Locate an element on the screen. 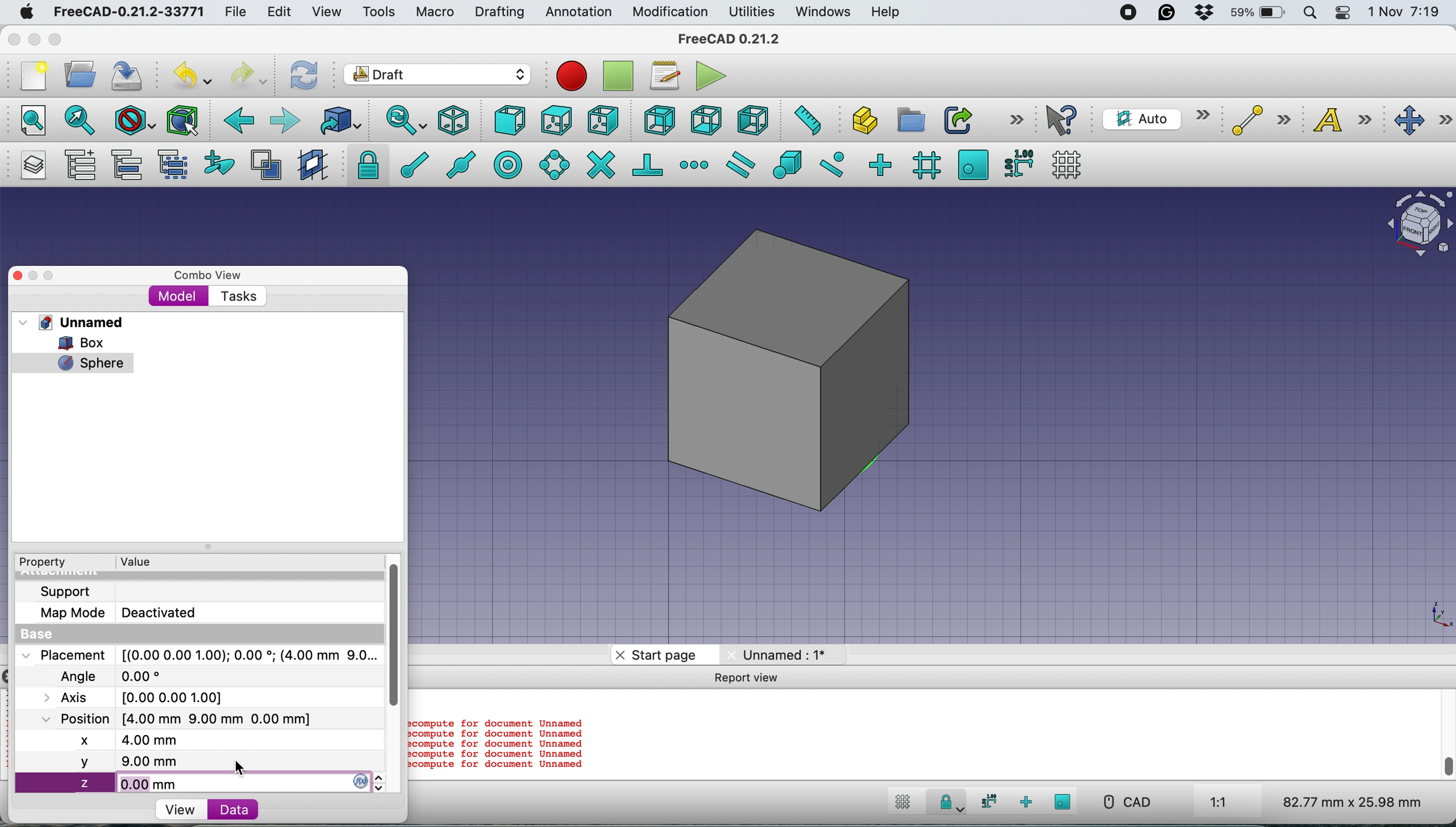 The width and height of the screenshot is (1456, 827). help is located at coordinates (887, 13).